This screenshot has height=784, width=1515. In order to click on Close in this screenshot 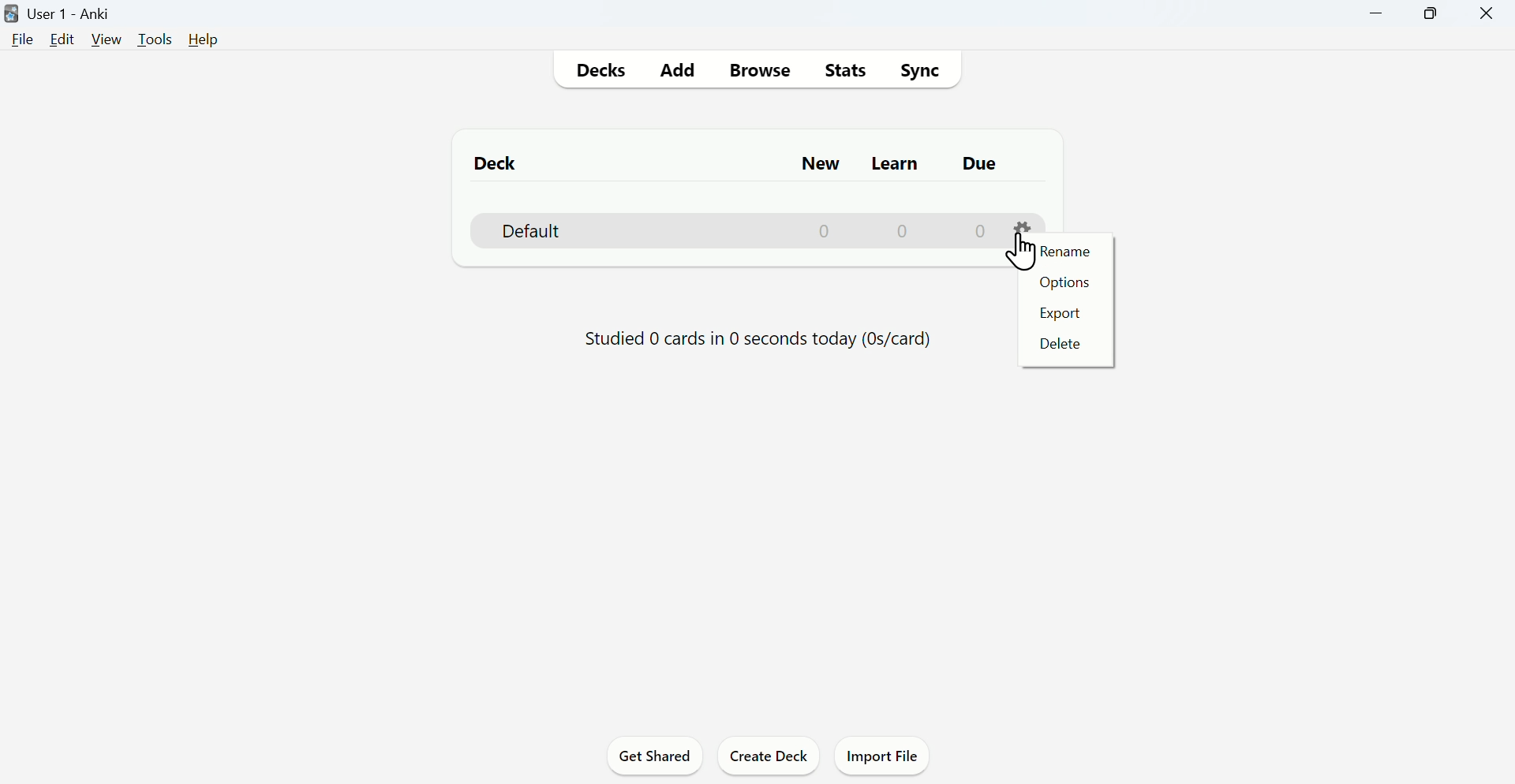, I will do `click(1486, 14)`.